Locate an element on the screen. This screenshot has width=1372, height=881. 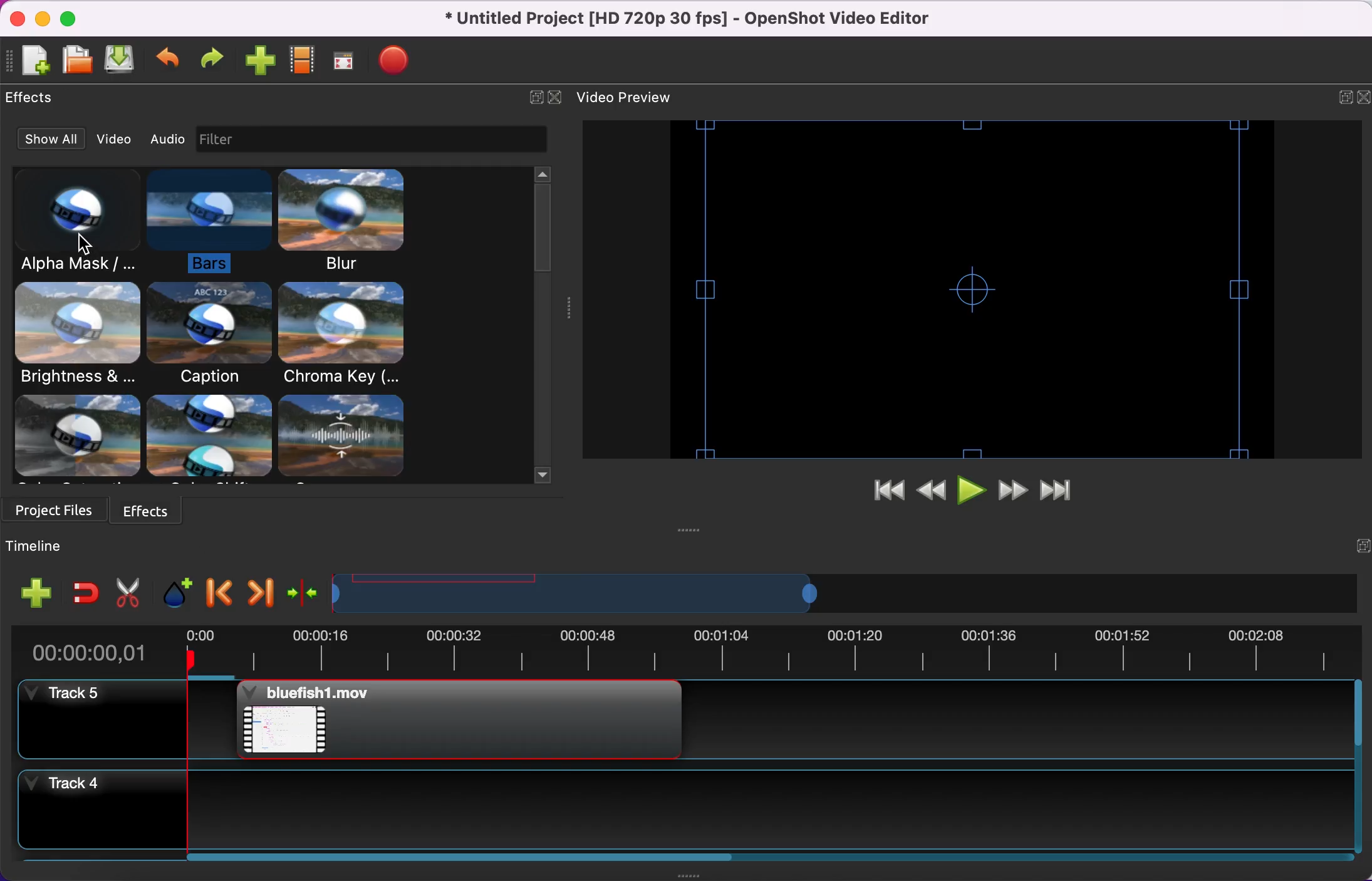
save file is located at coordinates (123, 62).